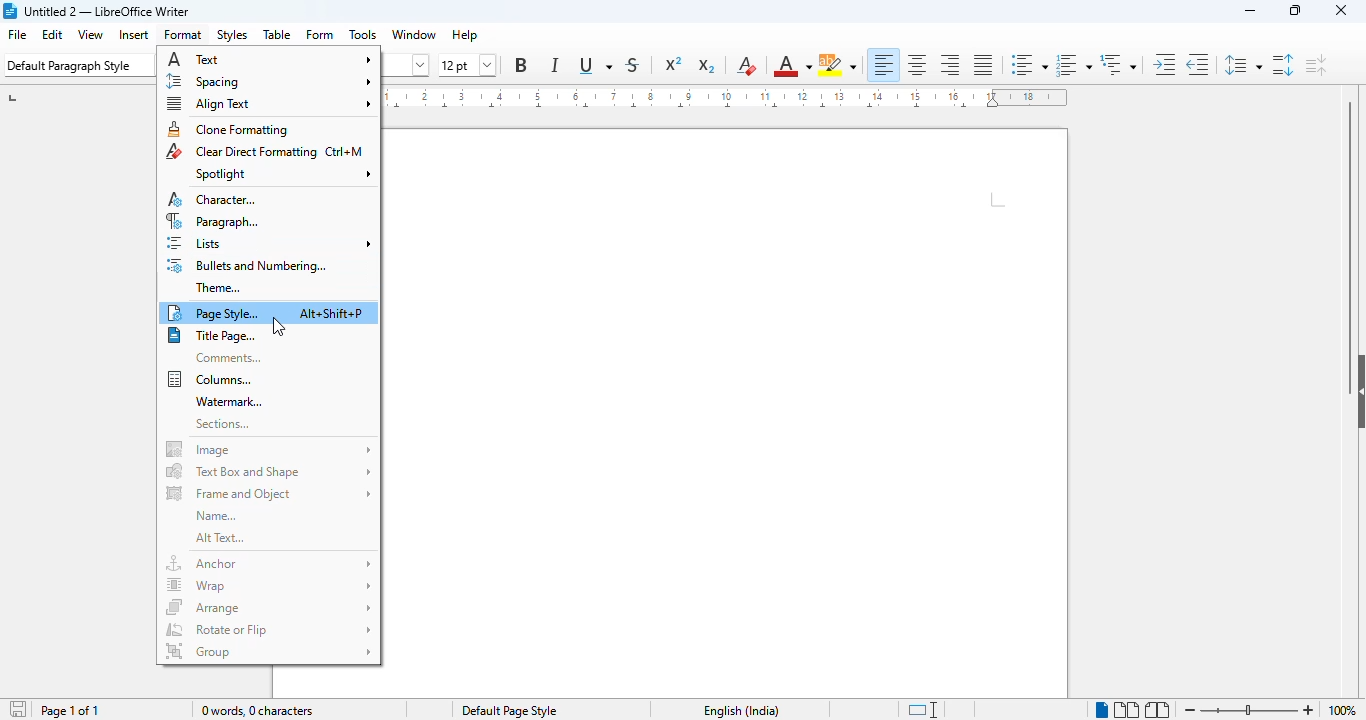 This screenshot has width=1366, height=720. Describe the element at coordinates (212, 221) in the screenshot. I see `paragraph` at that location.